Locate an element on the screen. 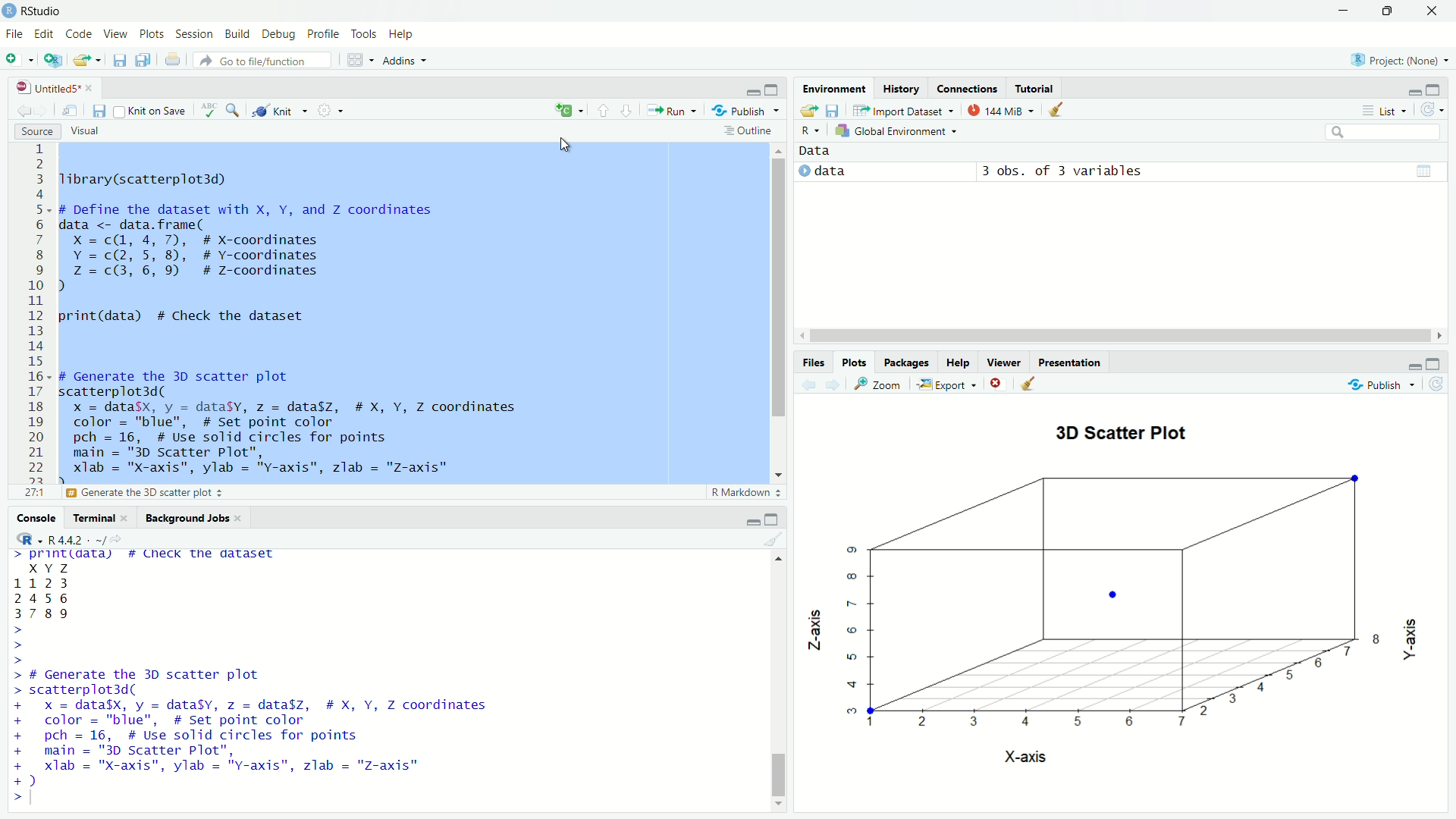 The width and height of the screenshot is (1456, 819). source is located at coordinates (29, 133).